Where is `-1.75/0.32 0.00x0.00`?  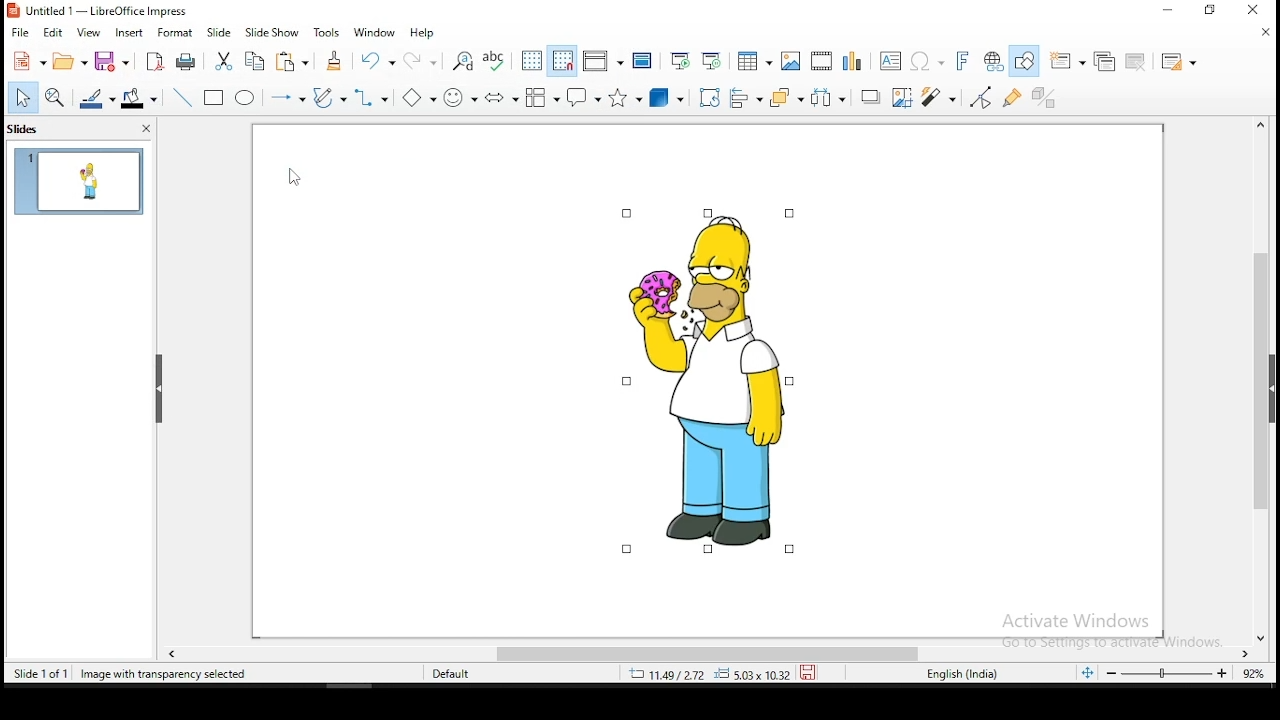
-1.75/0.32 0.00x0.00 is located at coordinates (705, 674).